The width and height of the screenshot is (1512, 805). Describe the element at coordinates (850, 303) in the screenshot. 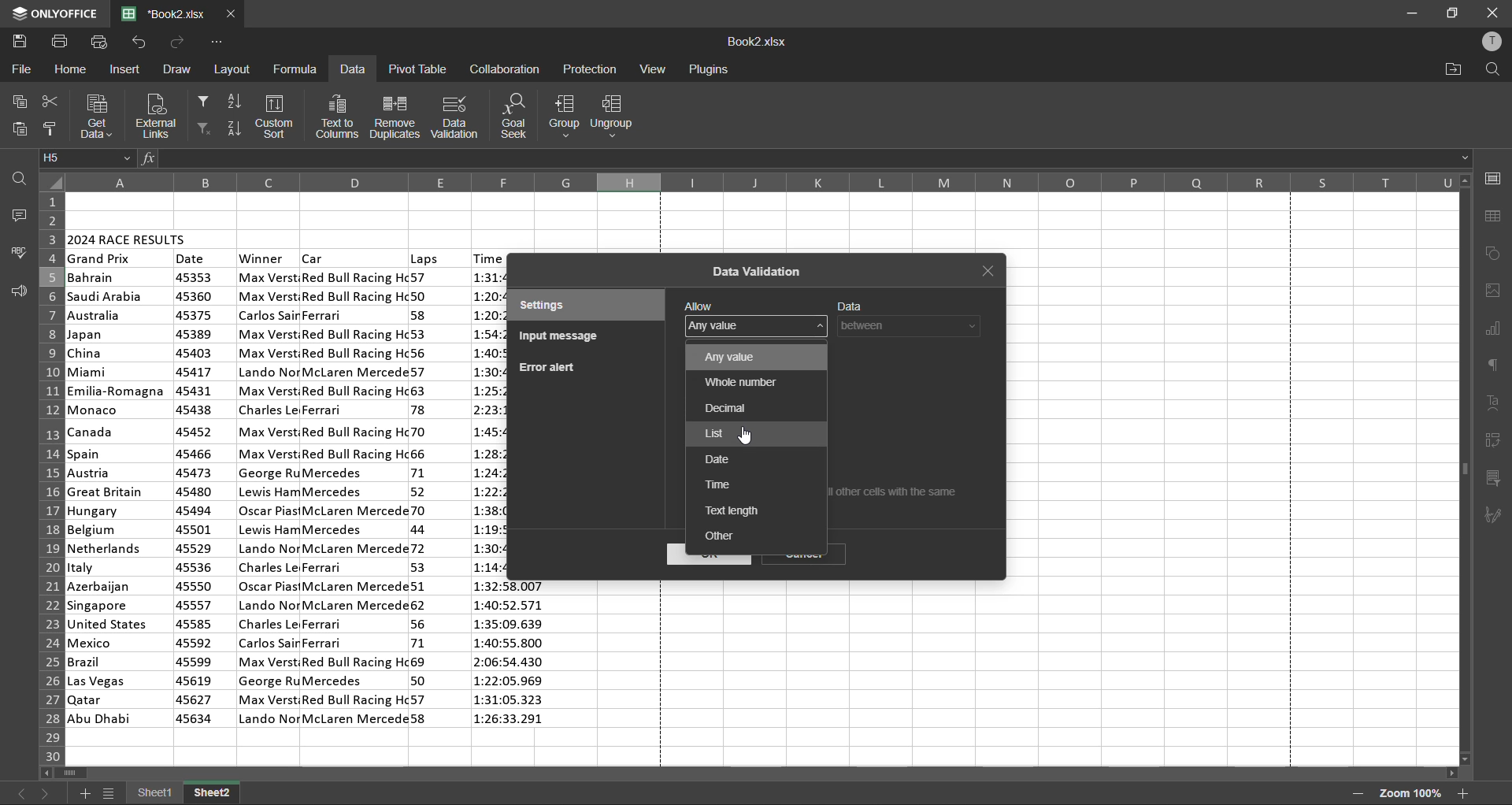

I see `data` at that location.